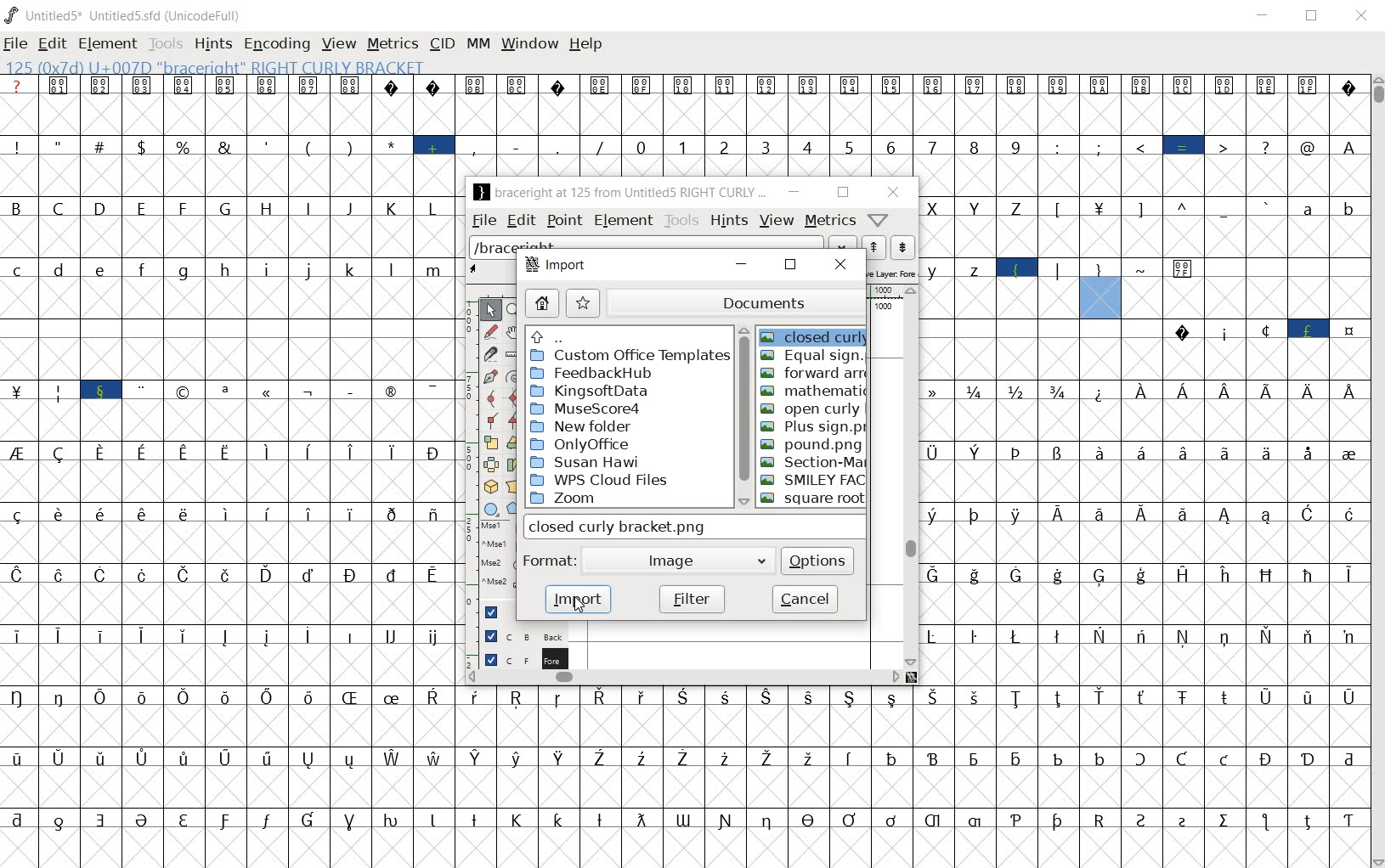 This screenshot has width=1385, height=868. Describe the element at coordinates (336, 42) in the screenshot. I see `VIEW` at that location.